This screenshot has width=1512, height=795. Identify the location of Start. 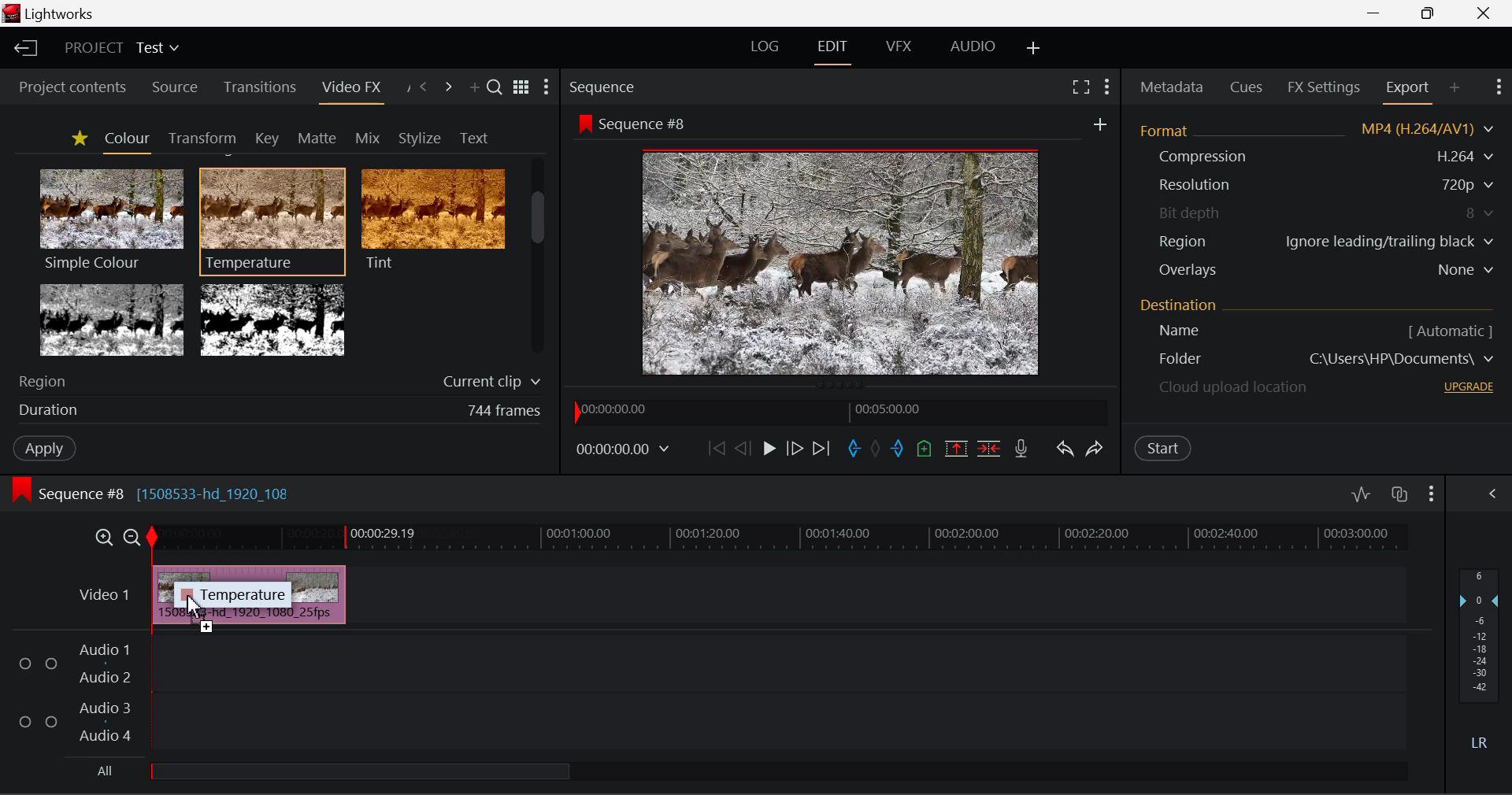
(1164, 449).